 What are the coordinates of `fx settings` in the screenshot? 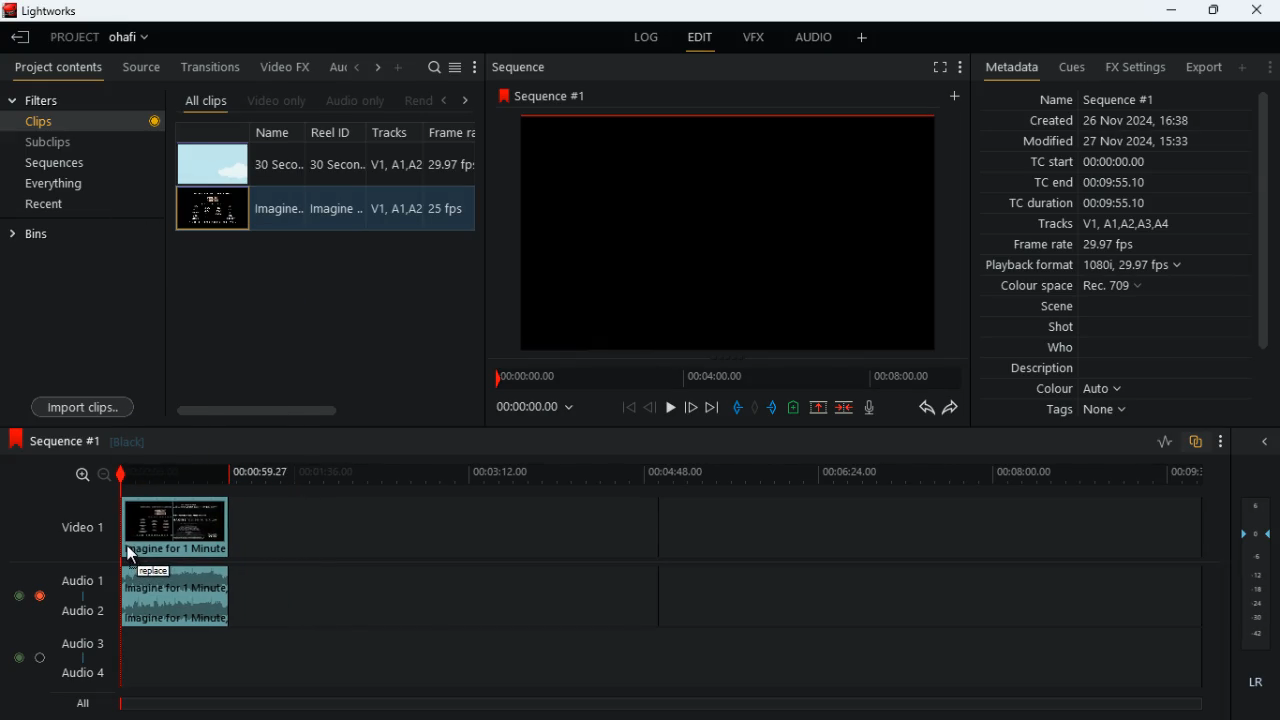 It's located at (1133, 65).